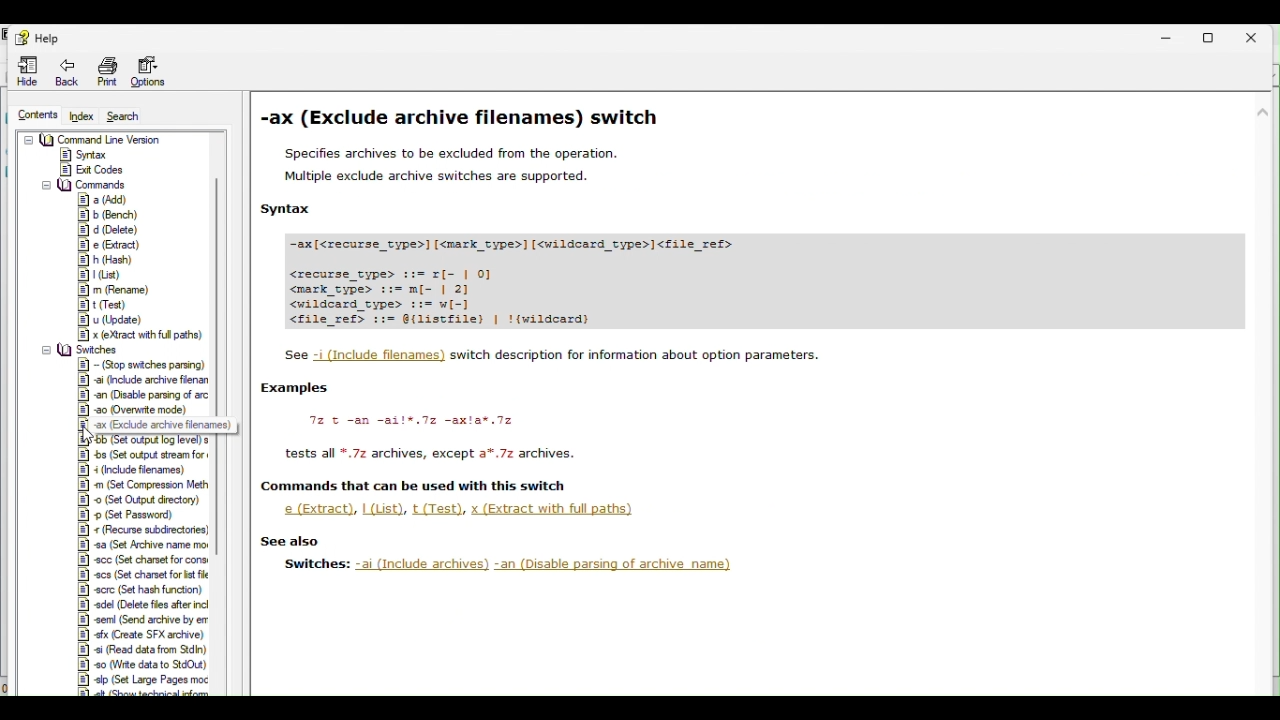  What do you see at coordinates (297, 388) in the screenshot?
I see `Examples` at bounding box center [297, 388].